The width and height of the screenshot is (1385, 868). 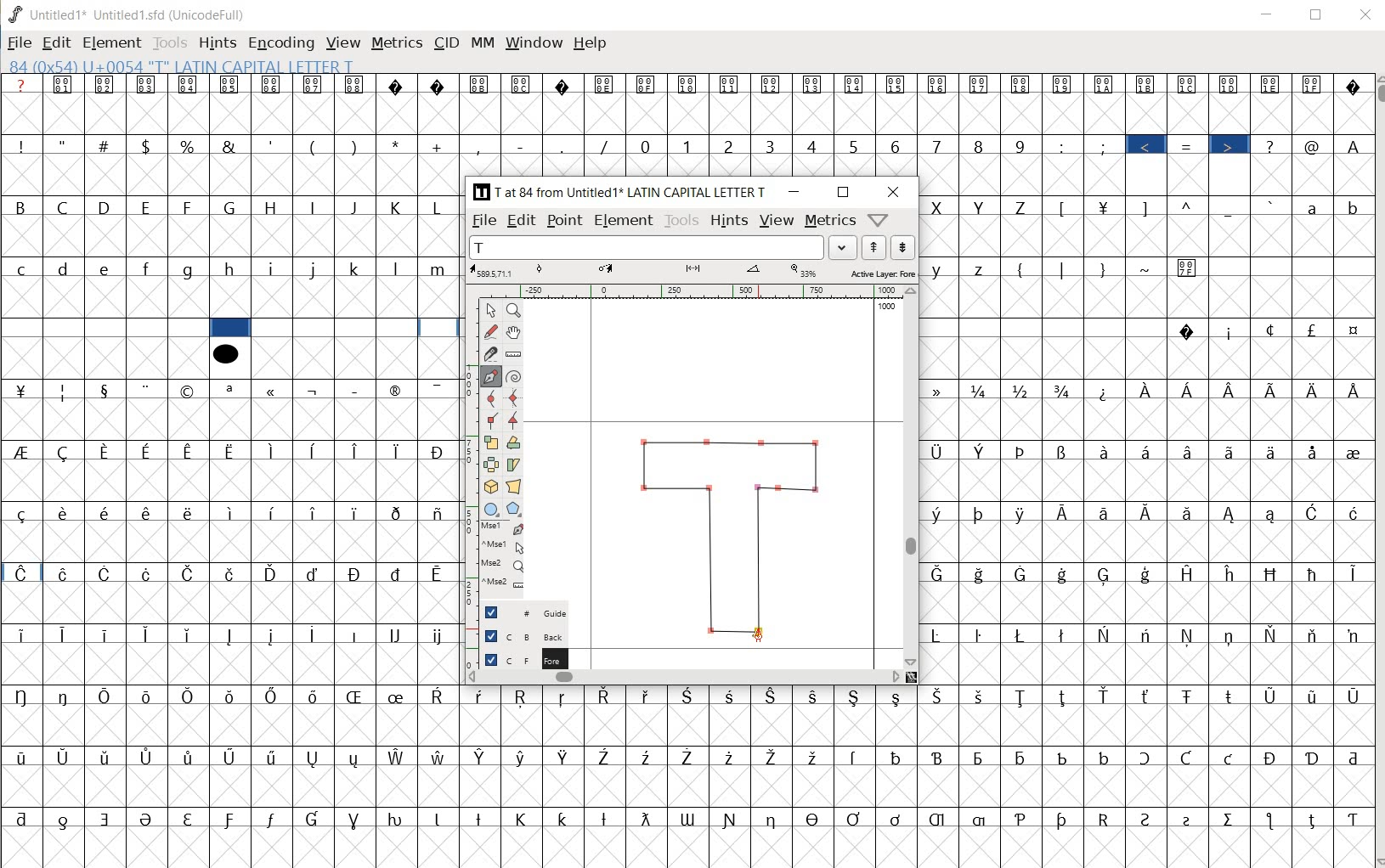 I want to click on Symbol, so click(x=272, y=695).